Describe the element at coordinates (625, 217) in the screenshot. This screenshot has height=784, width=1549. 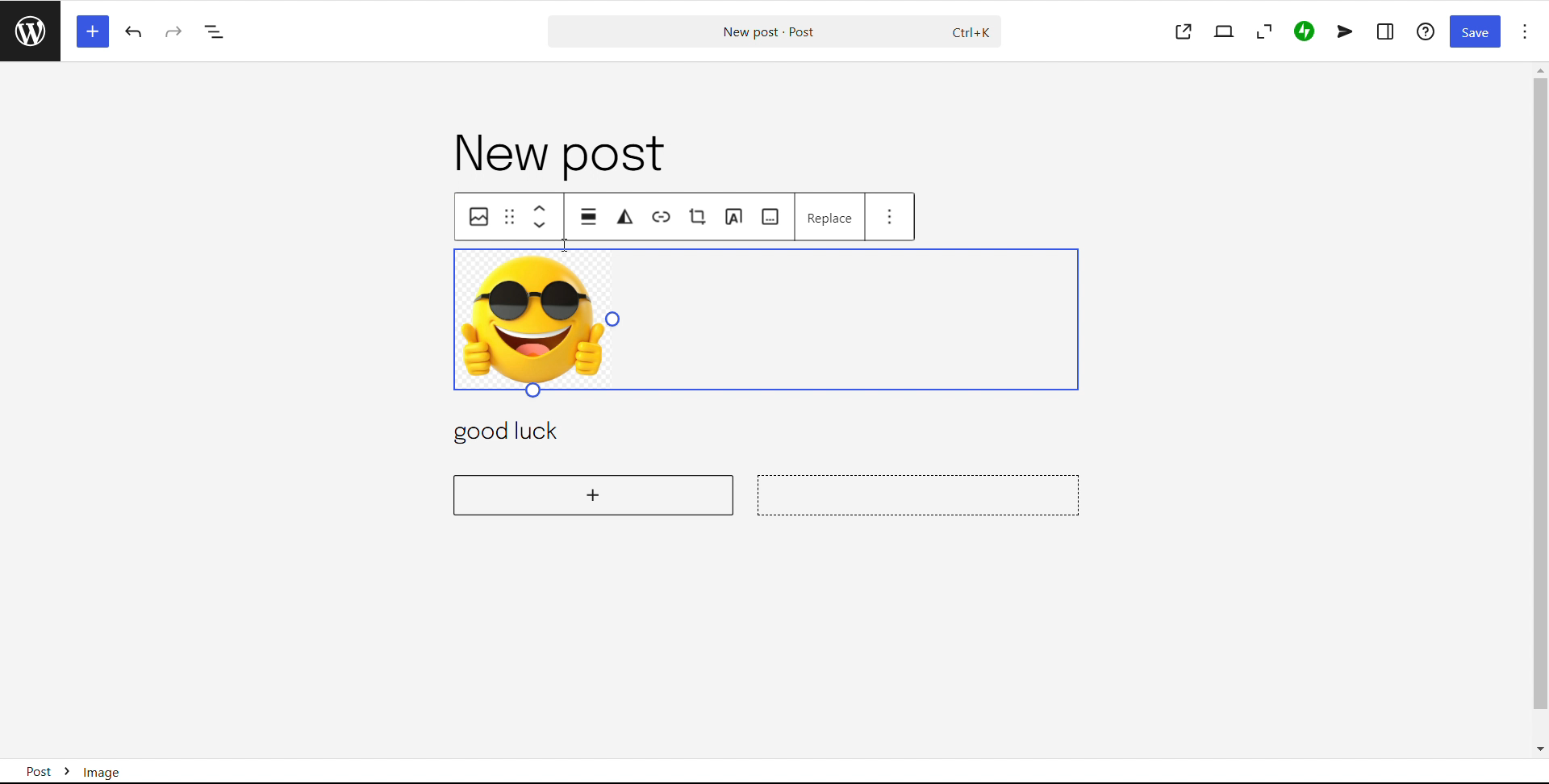
I see `apply duotone filter` at that location.